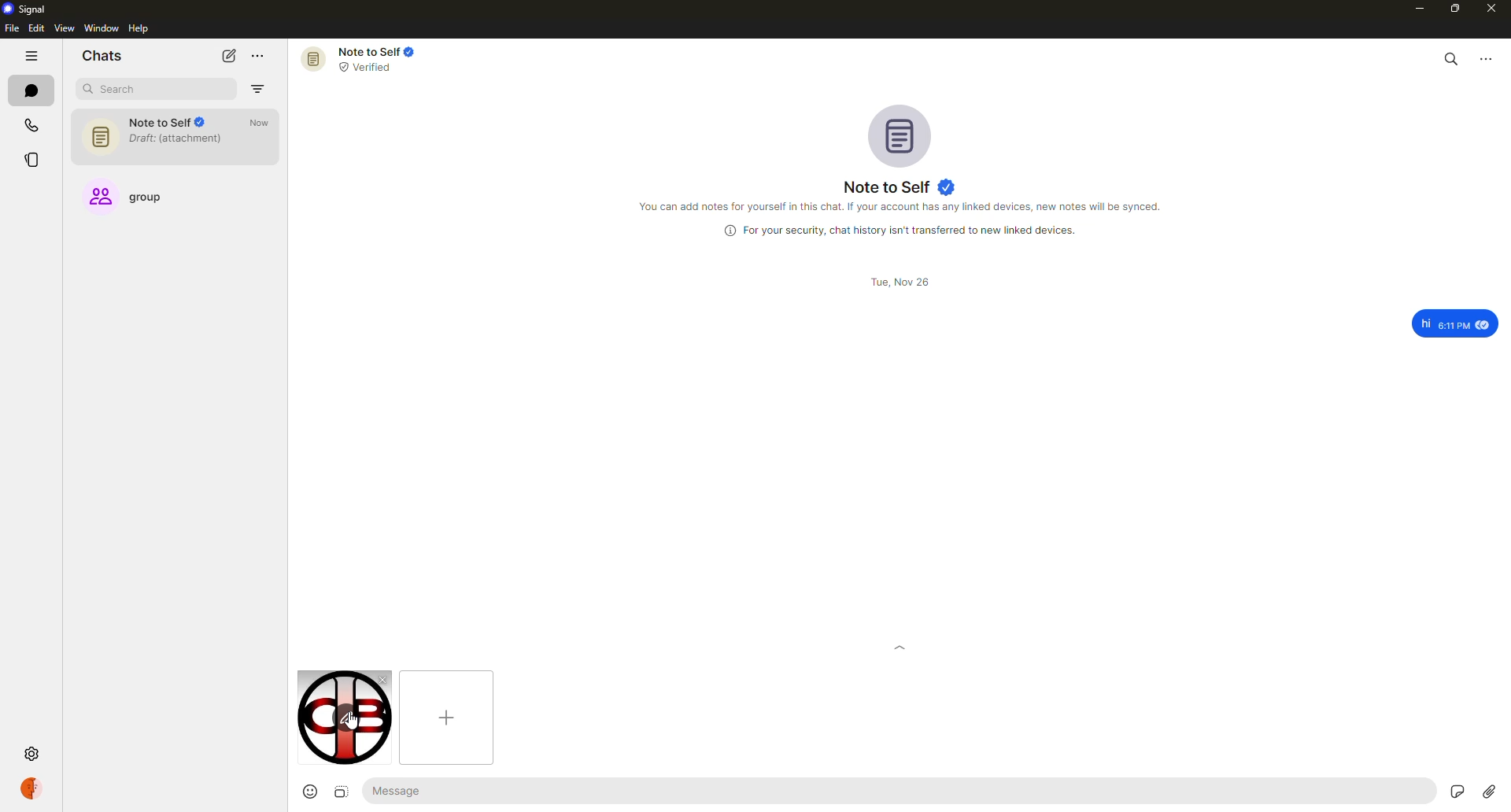  Describe the element at coordinates (900, 134) in the screenshot. I see `profile pic` at that location.